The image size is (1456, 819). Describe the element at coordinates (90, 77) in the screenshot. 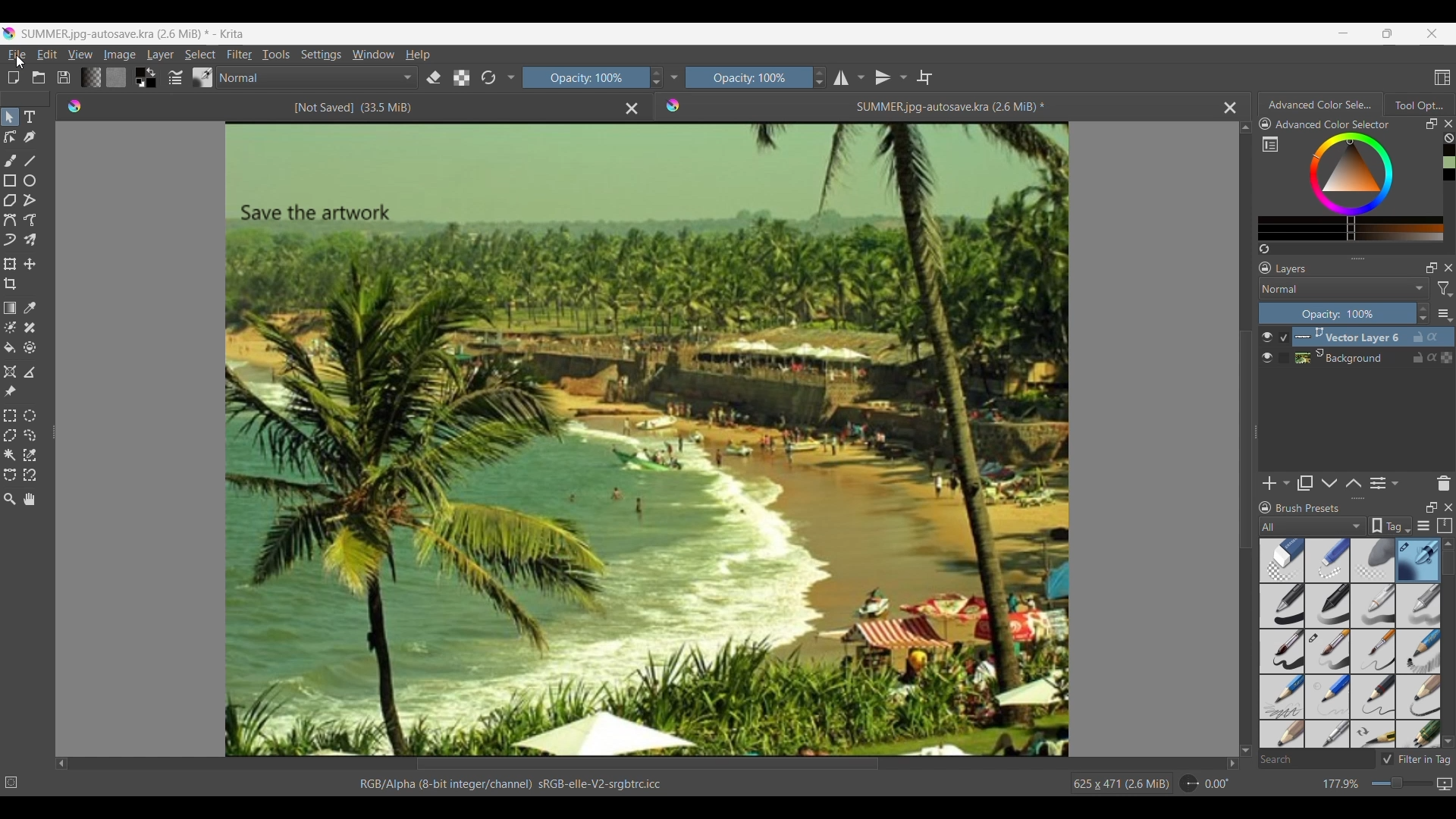

I see `Fill gradients` at that location.